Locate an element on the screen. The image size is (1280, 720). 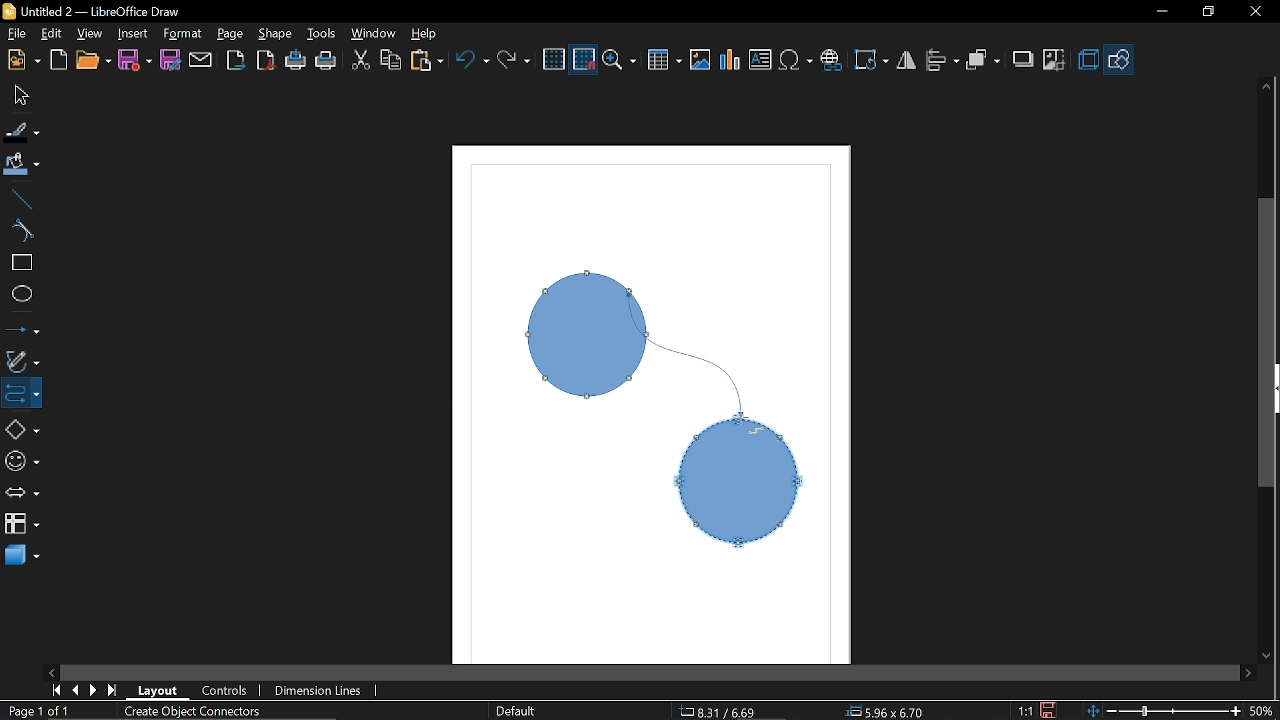
edit is located at coordinates (55, 33).